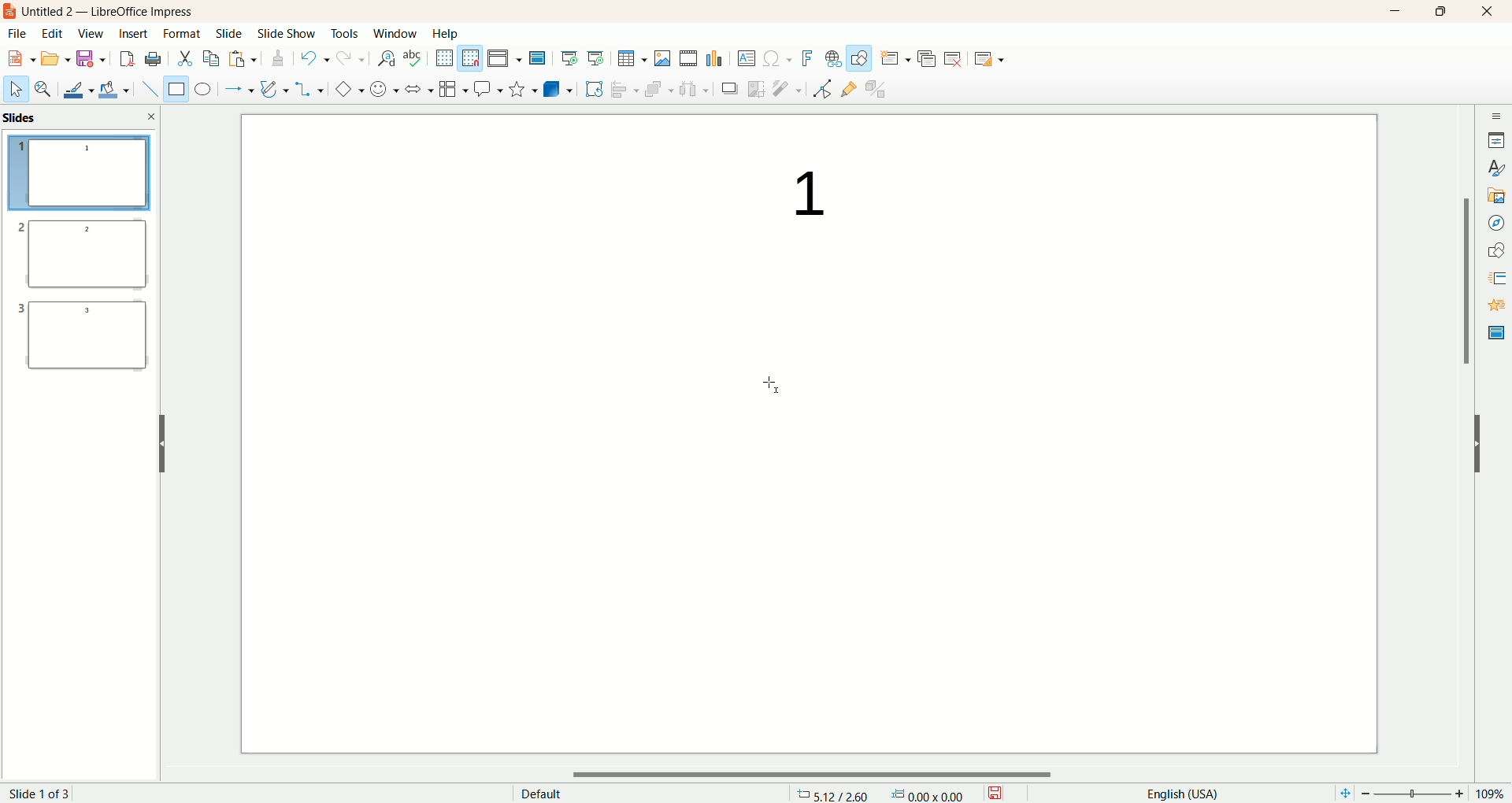  What do you see at coordinates (663, 57) in the screenshot?
I see `insert image` at bounding box center [663, 57].